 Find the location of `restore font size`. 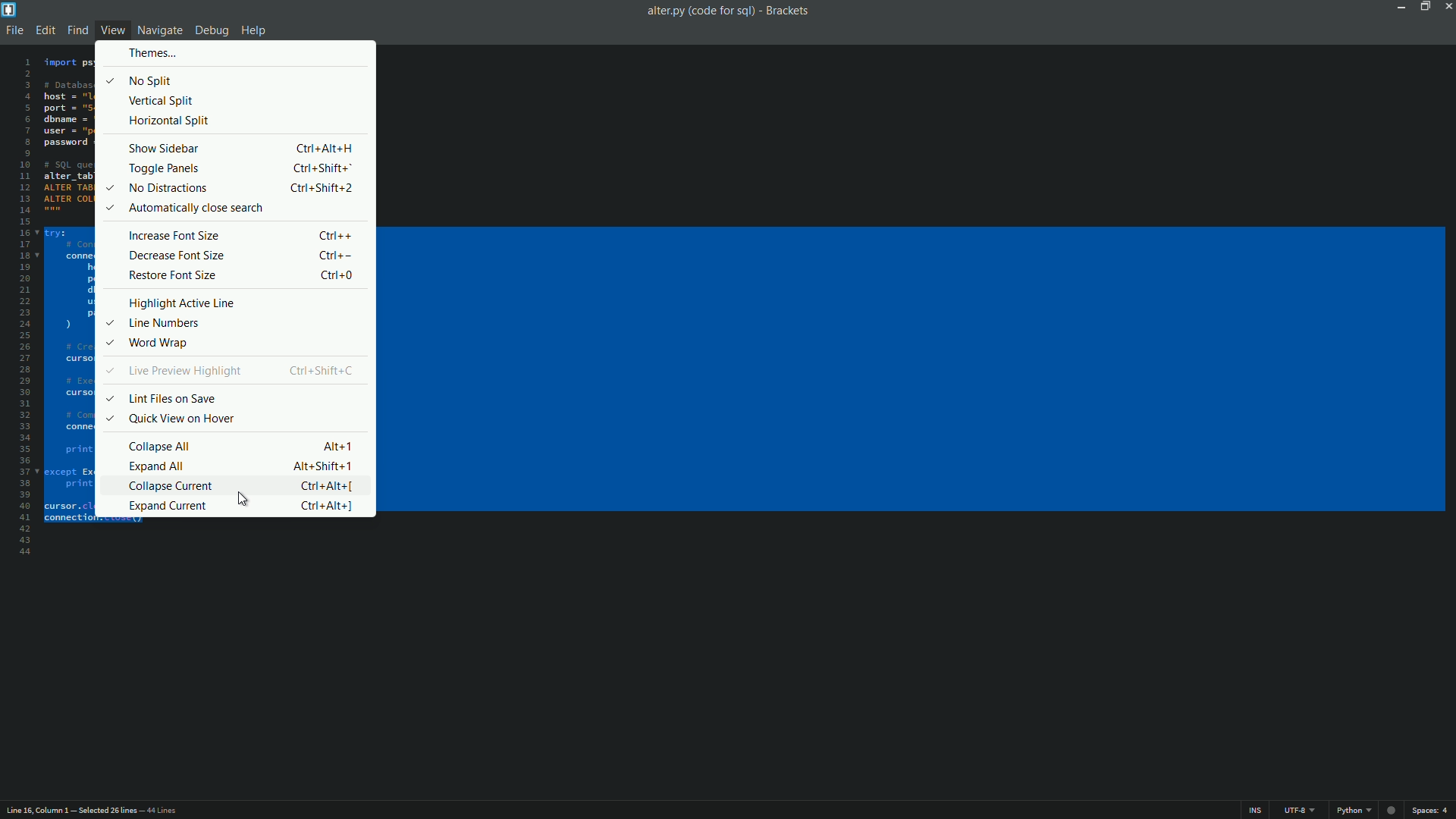

restore font size is located at coordinates (170, 275).